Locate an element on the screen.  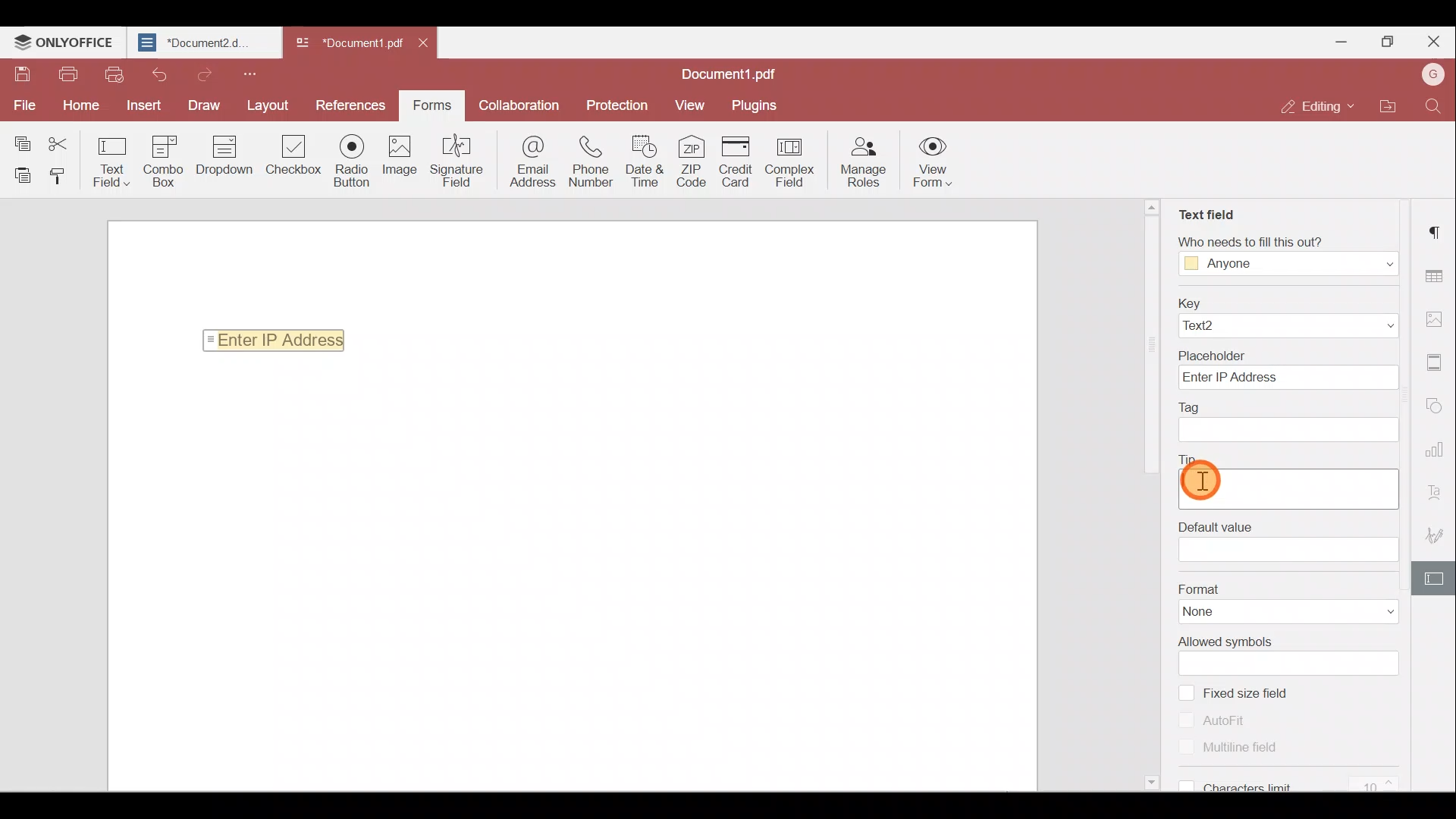
Email address is located at coordinates (526, 162).